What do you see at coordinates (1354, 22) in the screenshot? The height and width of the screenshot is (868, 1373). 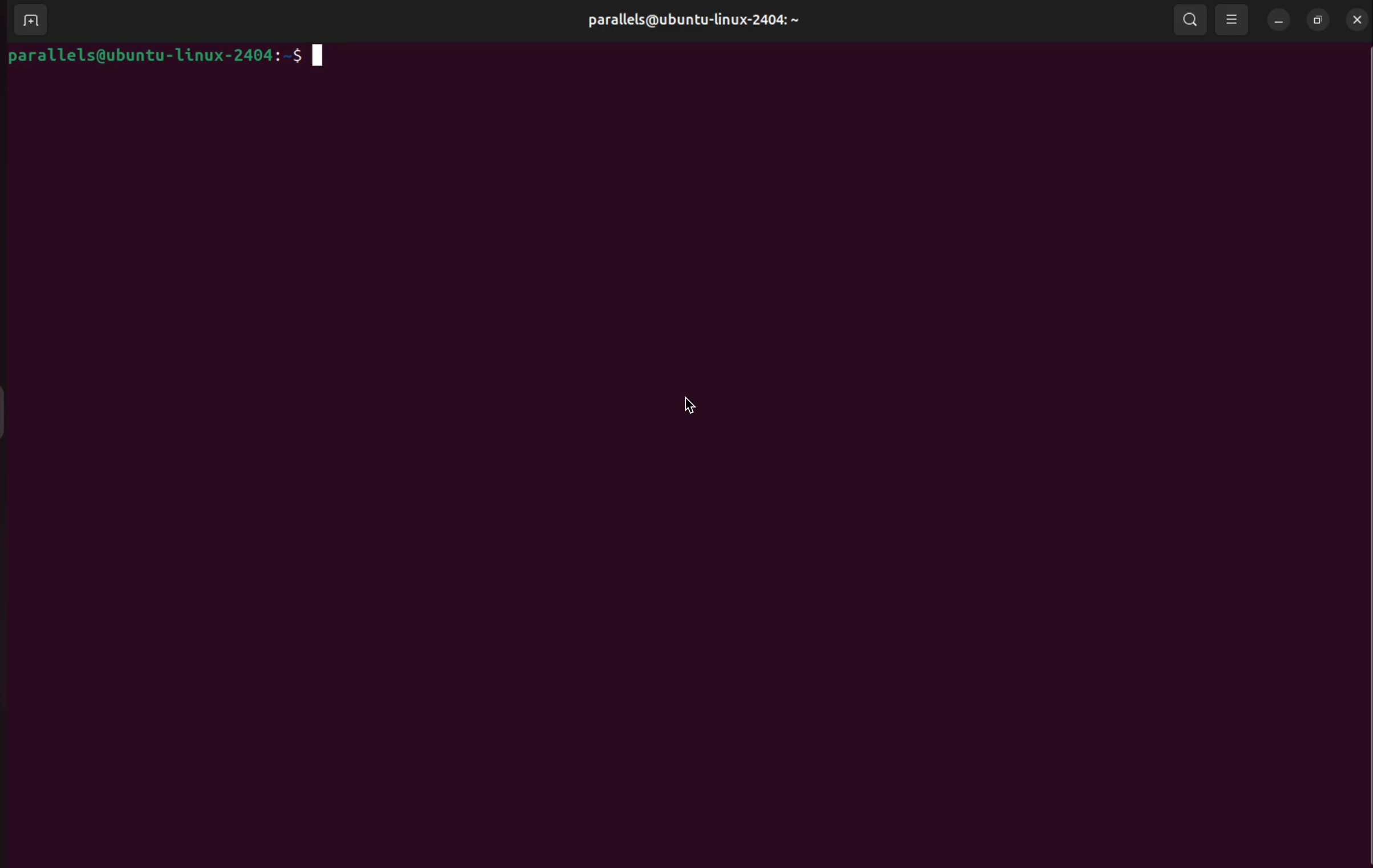 I see `close` at bounding box center [1354, 22].